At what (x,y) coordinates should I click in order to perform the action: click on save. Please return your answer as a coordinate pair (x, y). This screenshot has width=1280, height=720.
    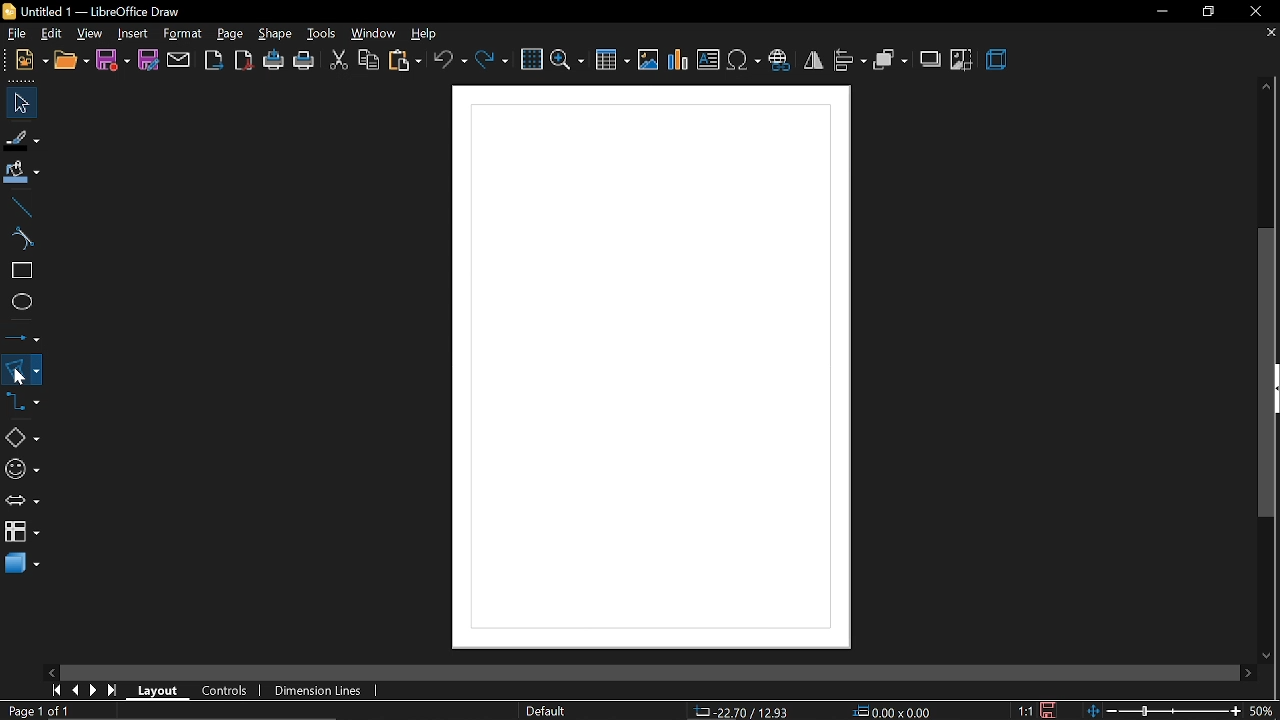
    Looking at the image, I should click on (113, 60).